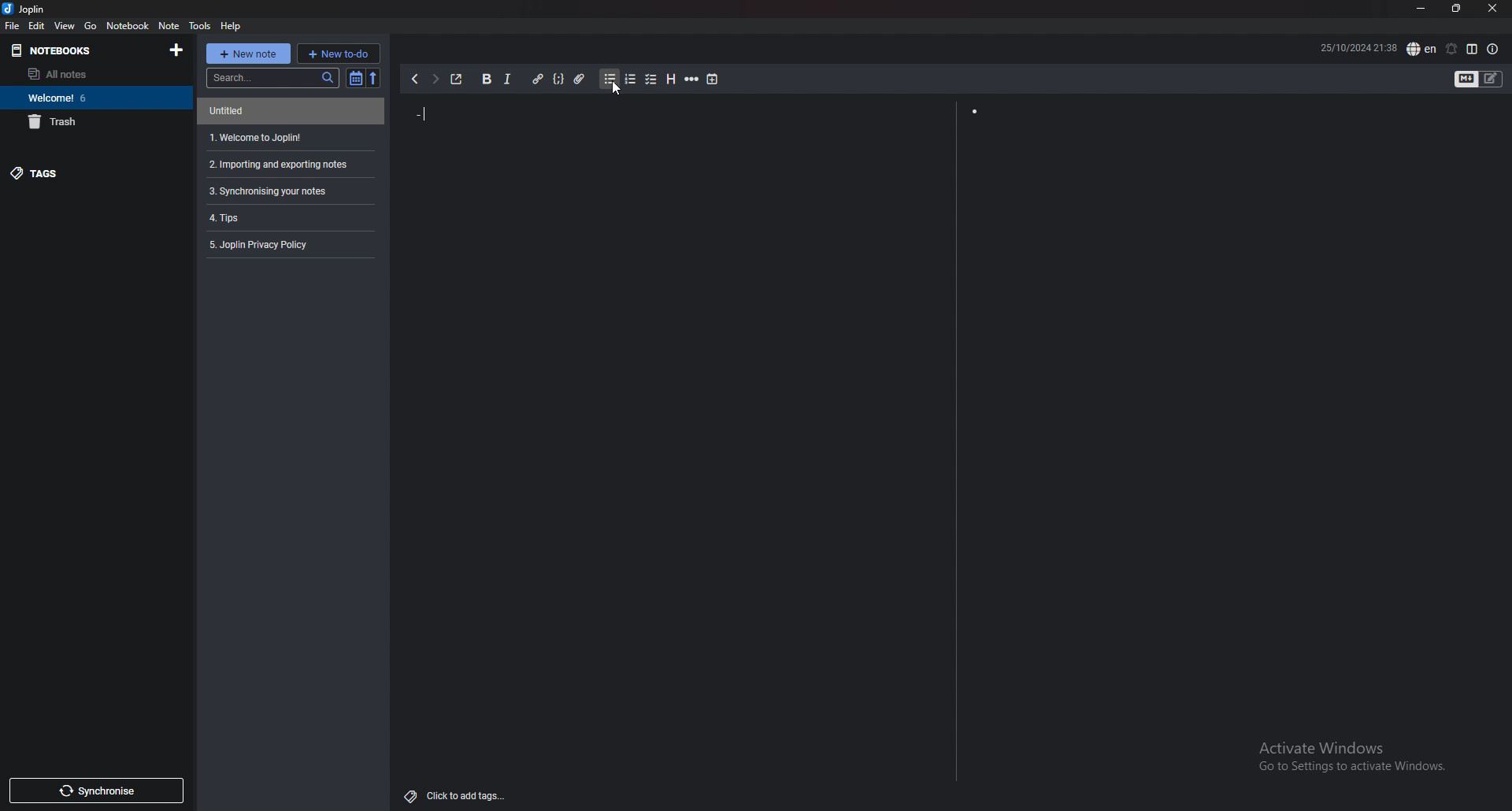  Describe the element at coordinates (627, 80) in the screenshot. I see `numbered list` at that location.